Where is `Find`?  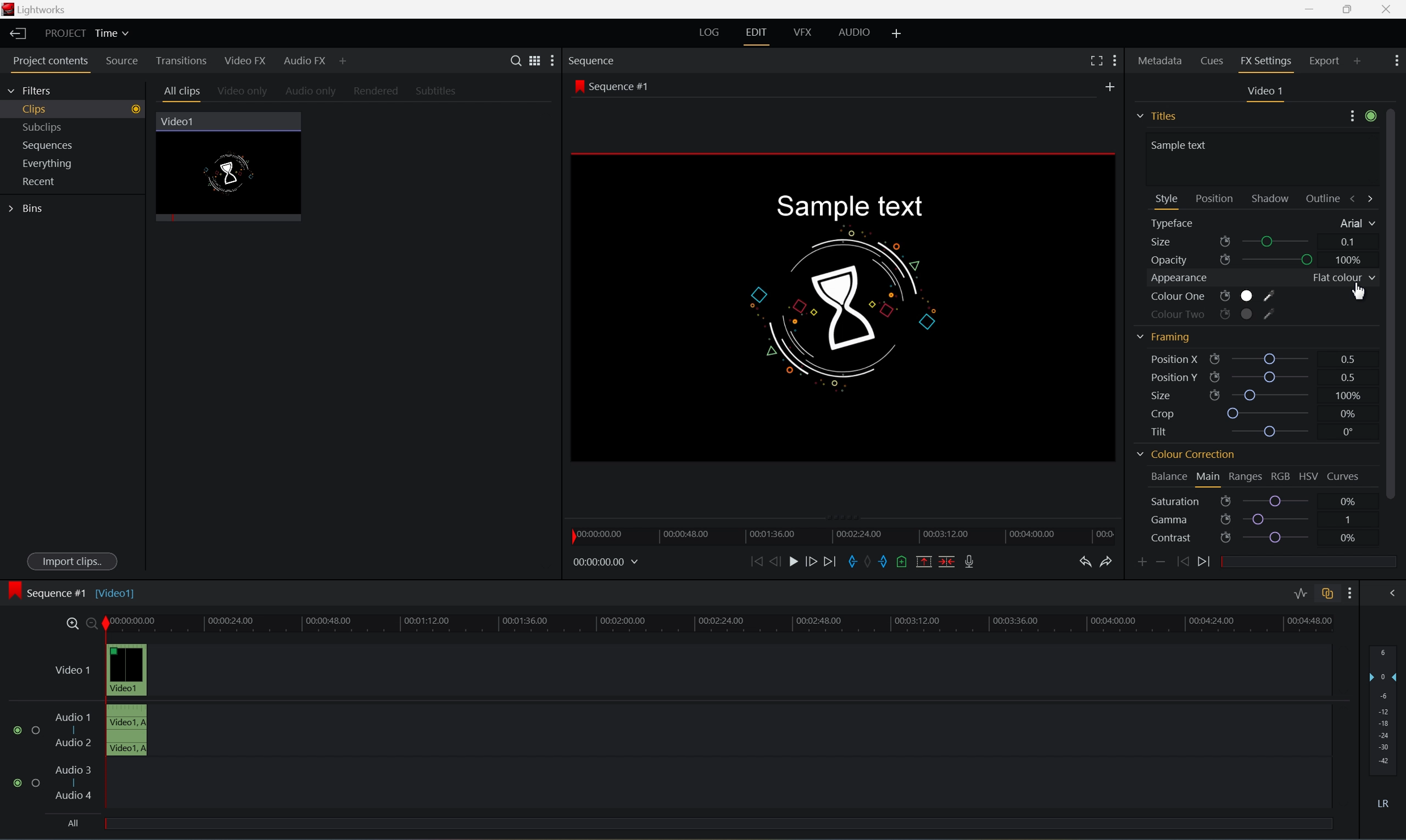 Find is located at coordinates (514, 59).